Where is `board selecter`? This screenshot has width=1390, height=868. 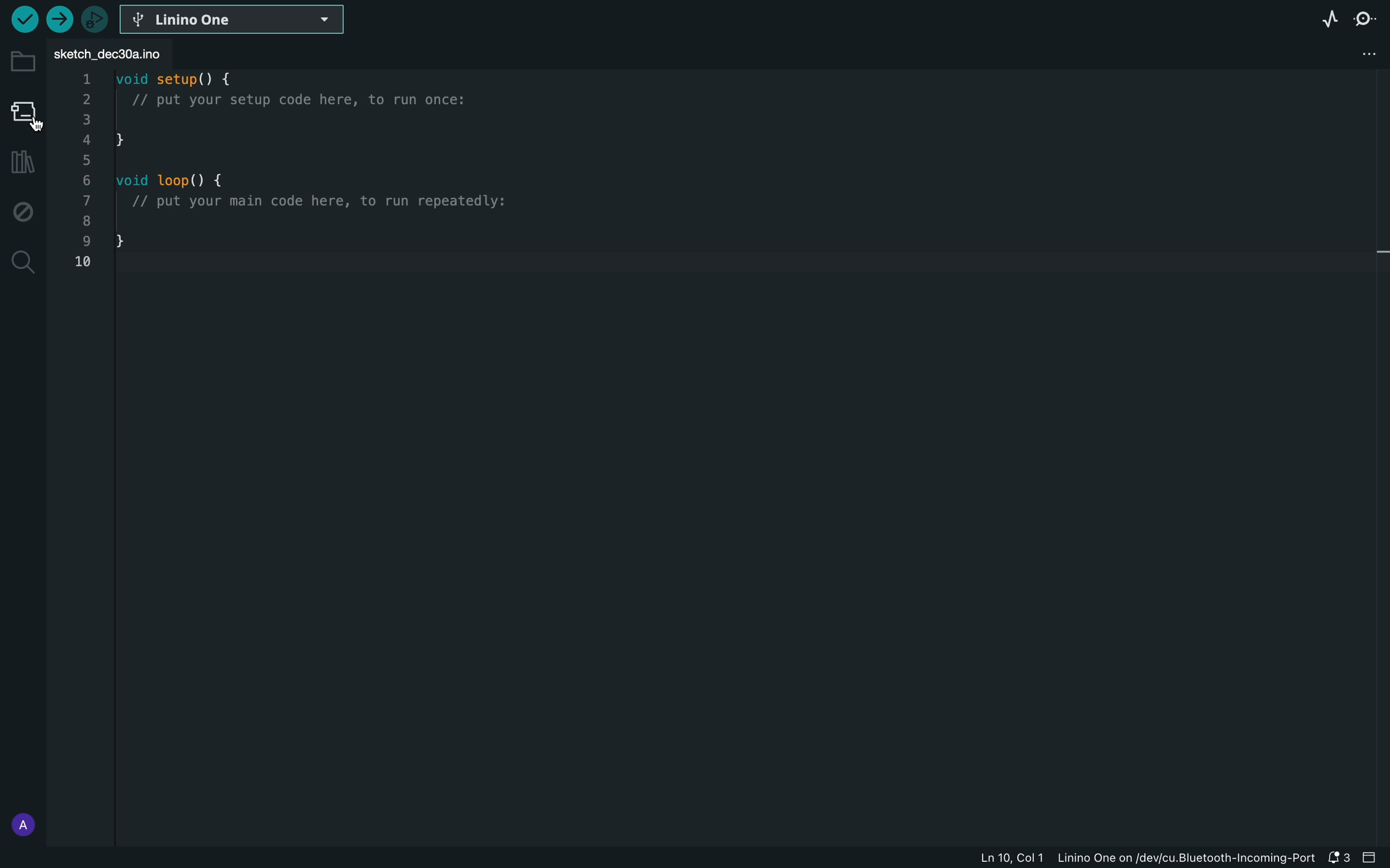 board selecter is located at coordinates (235, 20).